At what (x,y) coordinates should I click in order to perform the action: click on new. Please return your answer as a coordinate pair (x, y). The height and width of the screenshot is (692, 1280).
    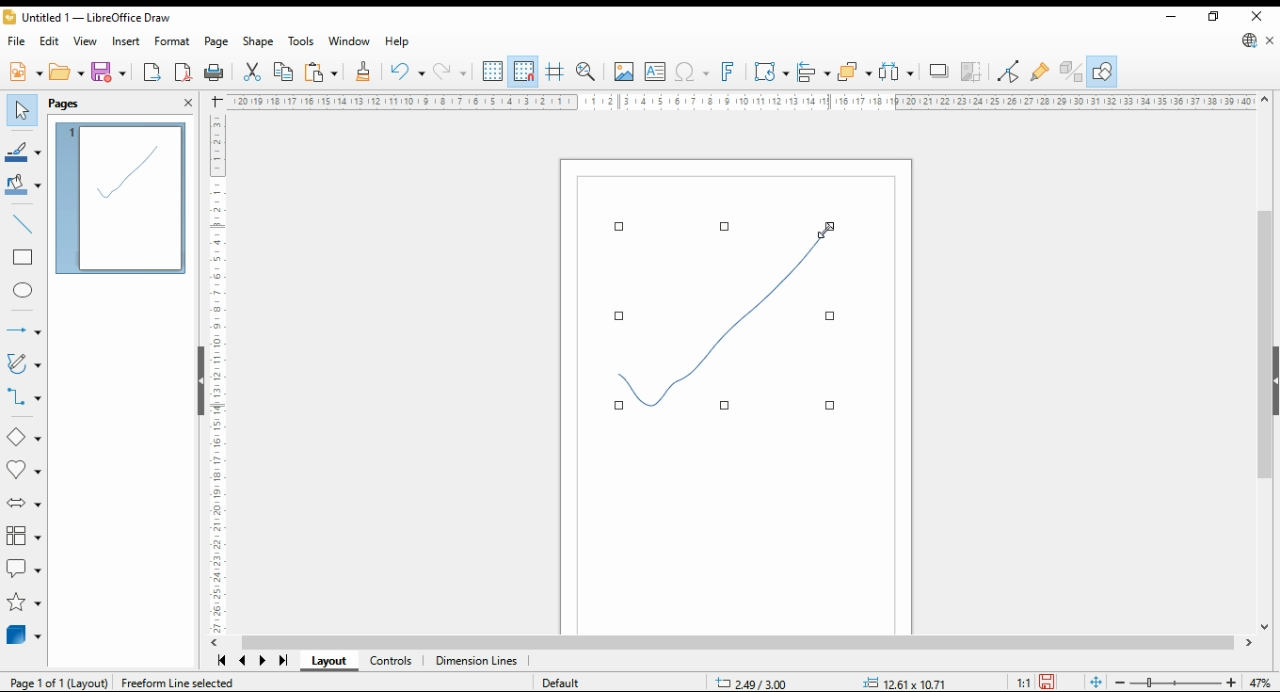
    Looking at the image, I should click on (24, 74).